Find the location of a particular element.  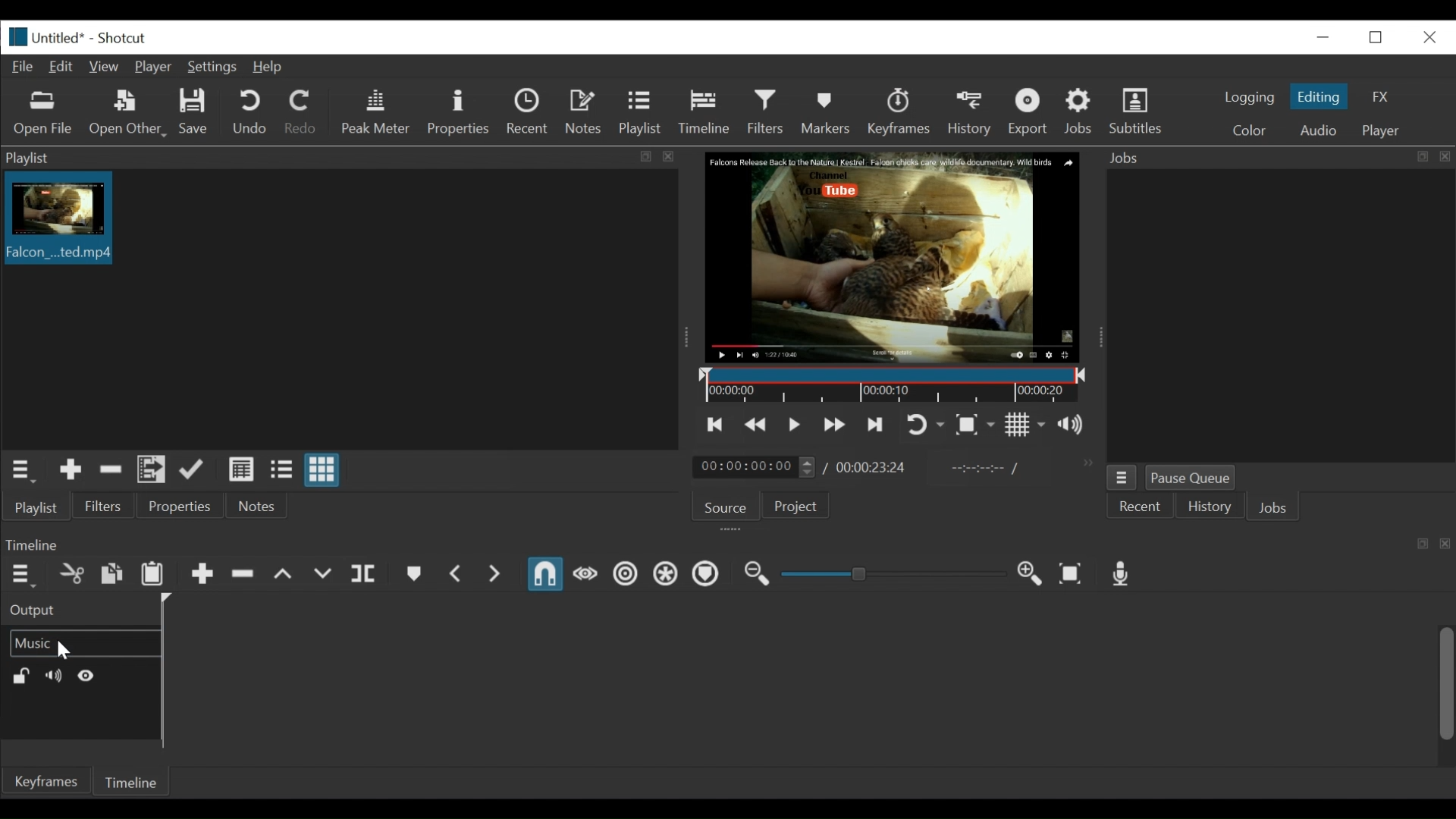

Adjust Zoom Slider is located at coordinates (893, 573).